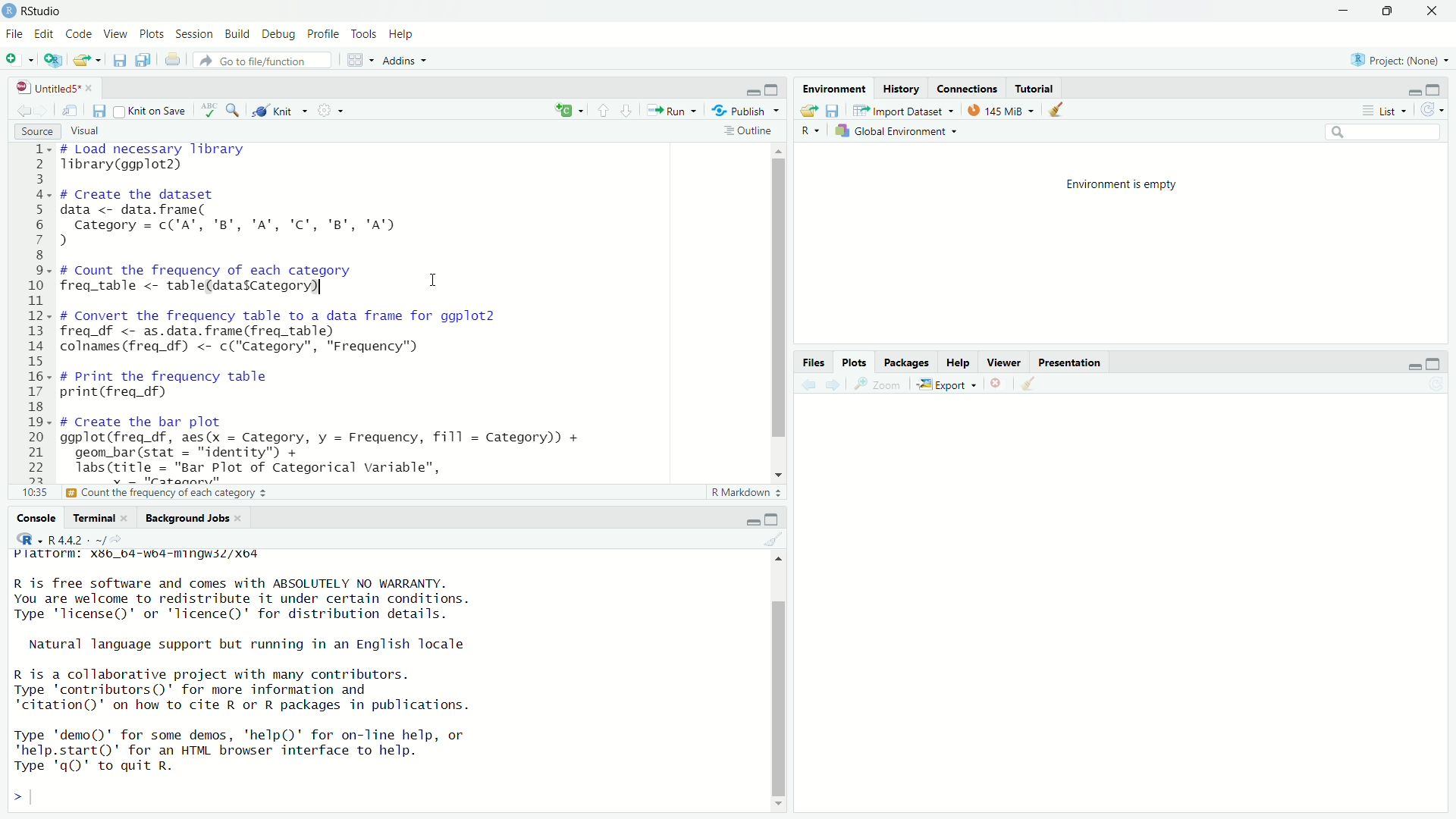 Image resolution: width=1456 pixels, height=819 pixels. What do you see at coordinates (748, 493) in the screenshot?
I see `R markdown` at bounding box center [748, 493].